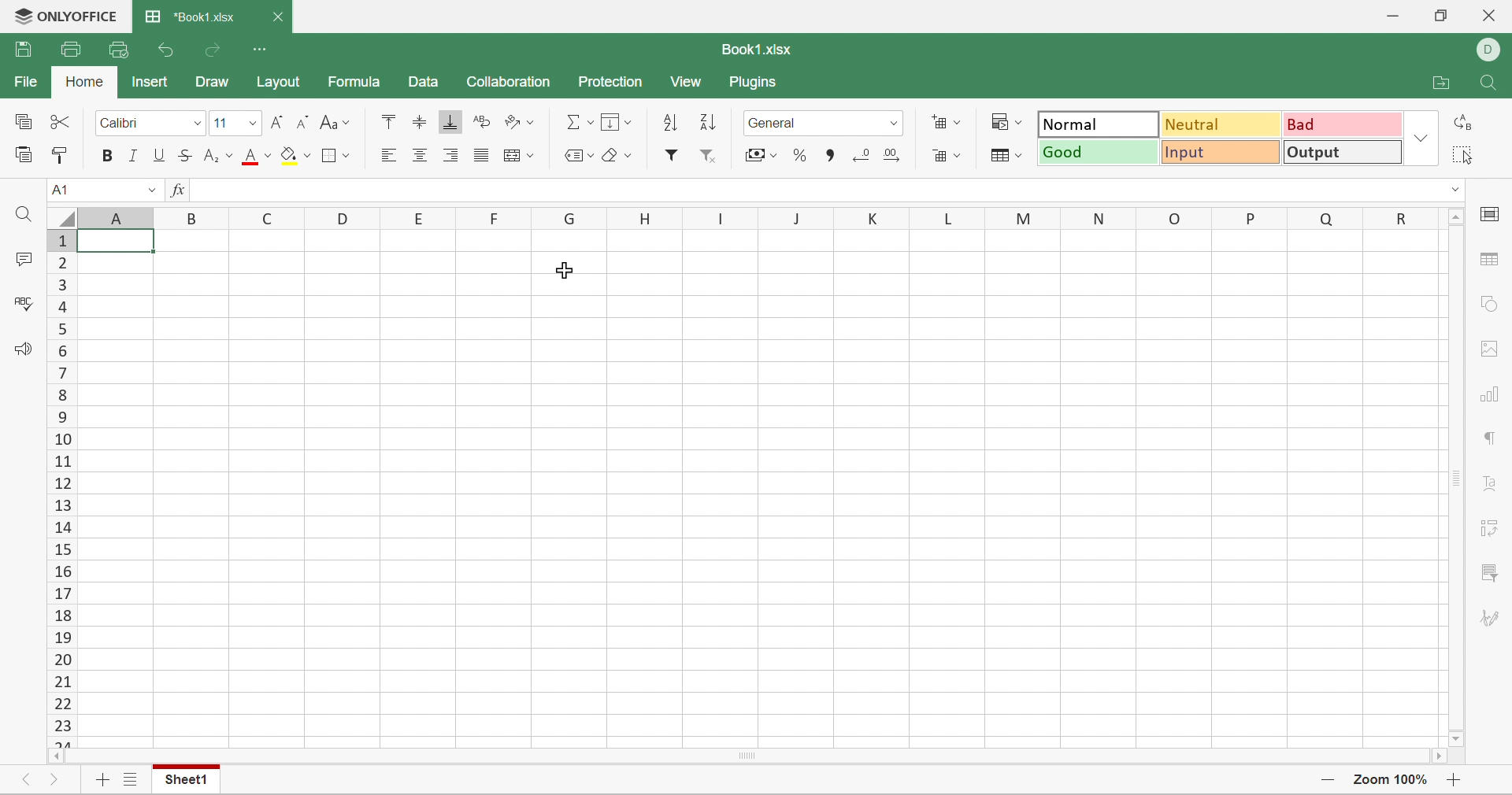 The image size is (1512, 795). I want to click on Change case, so click(333, 122).